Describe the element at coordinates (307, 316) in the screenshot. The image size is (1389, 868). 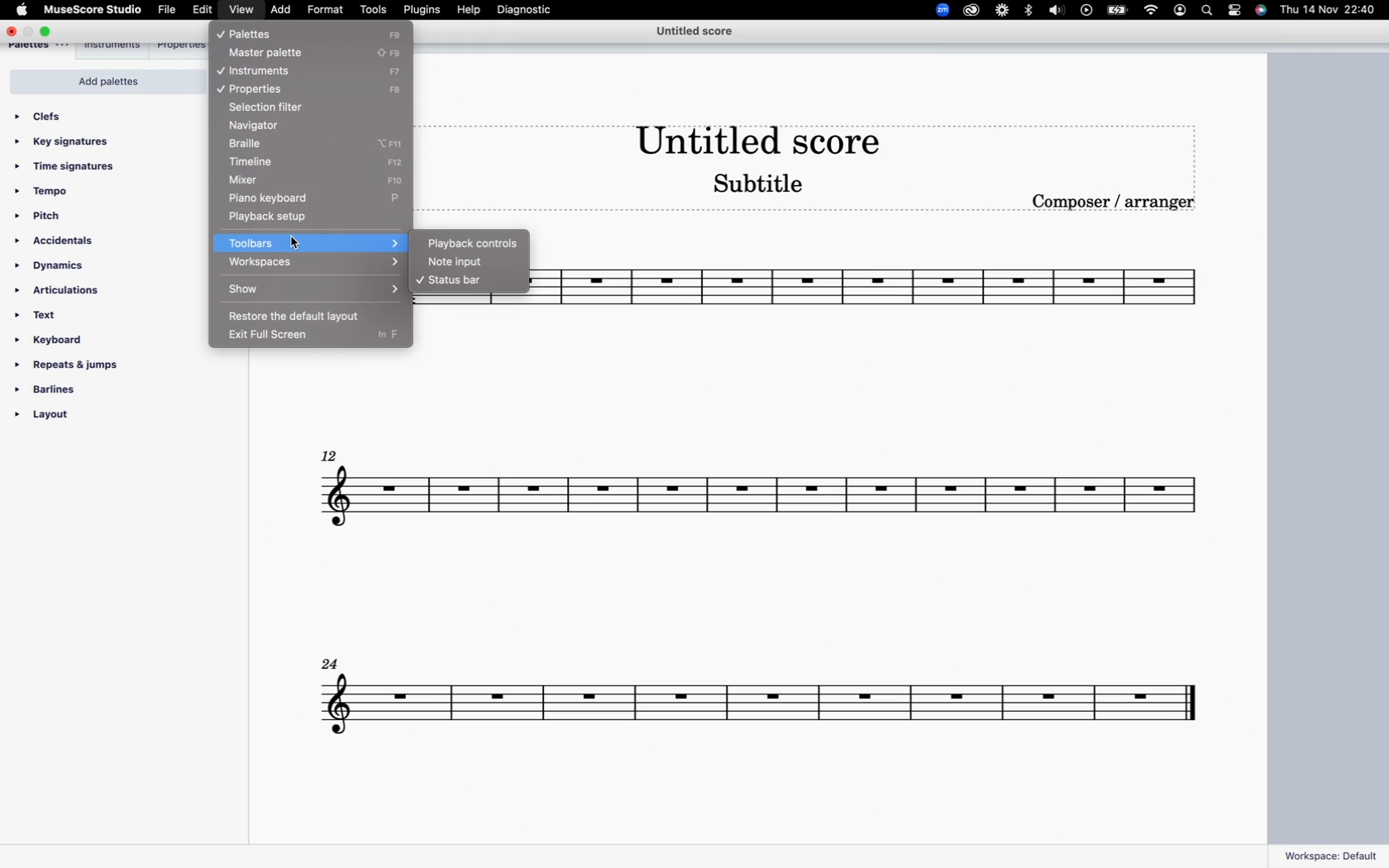
I see `restore the default layout` at that location.